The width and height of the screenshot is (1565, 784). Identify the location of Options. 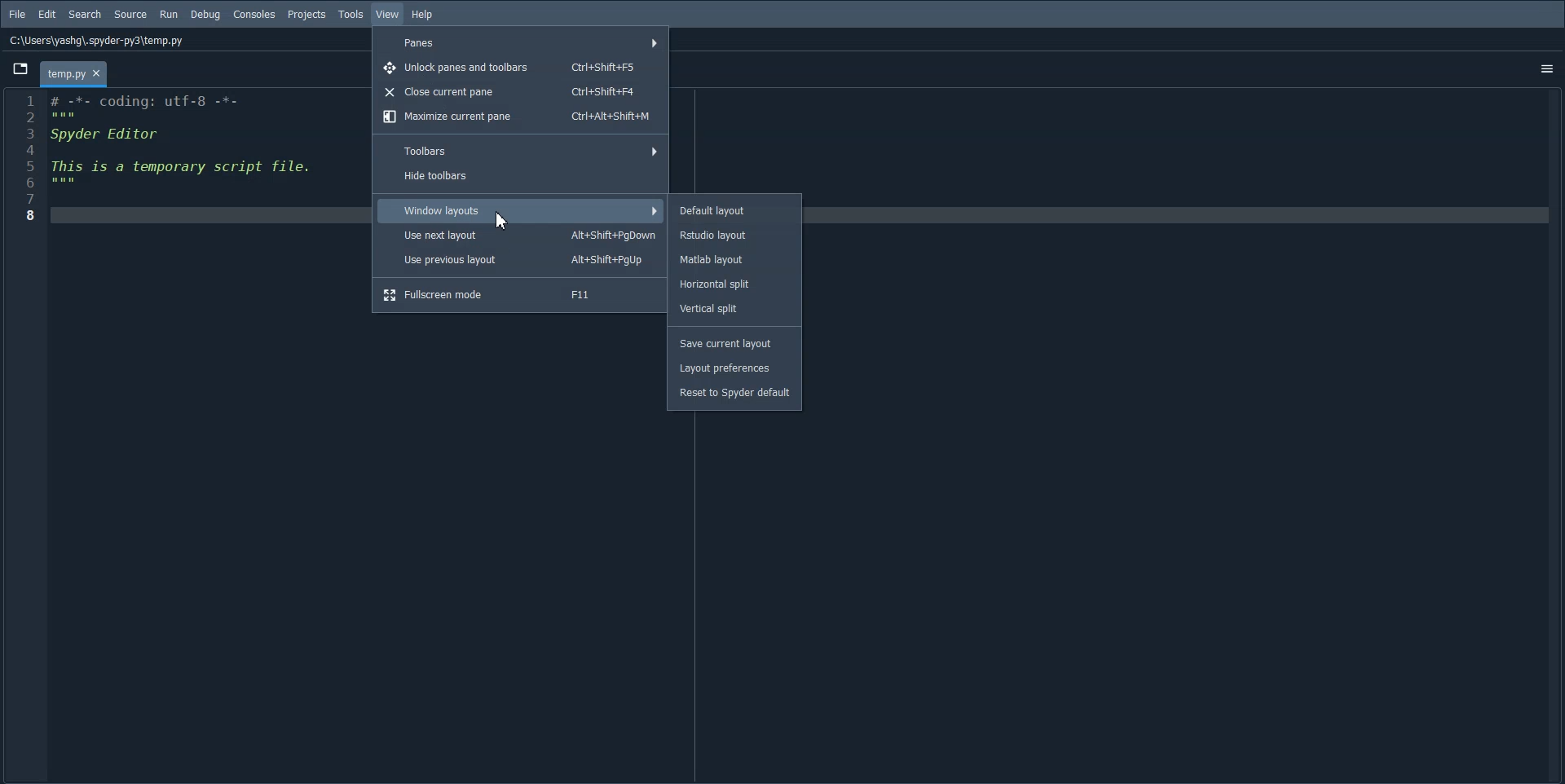
(1546, 68).